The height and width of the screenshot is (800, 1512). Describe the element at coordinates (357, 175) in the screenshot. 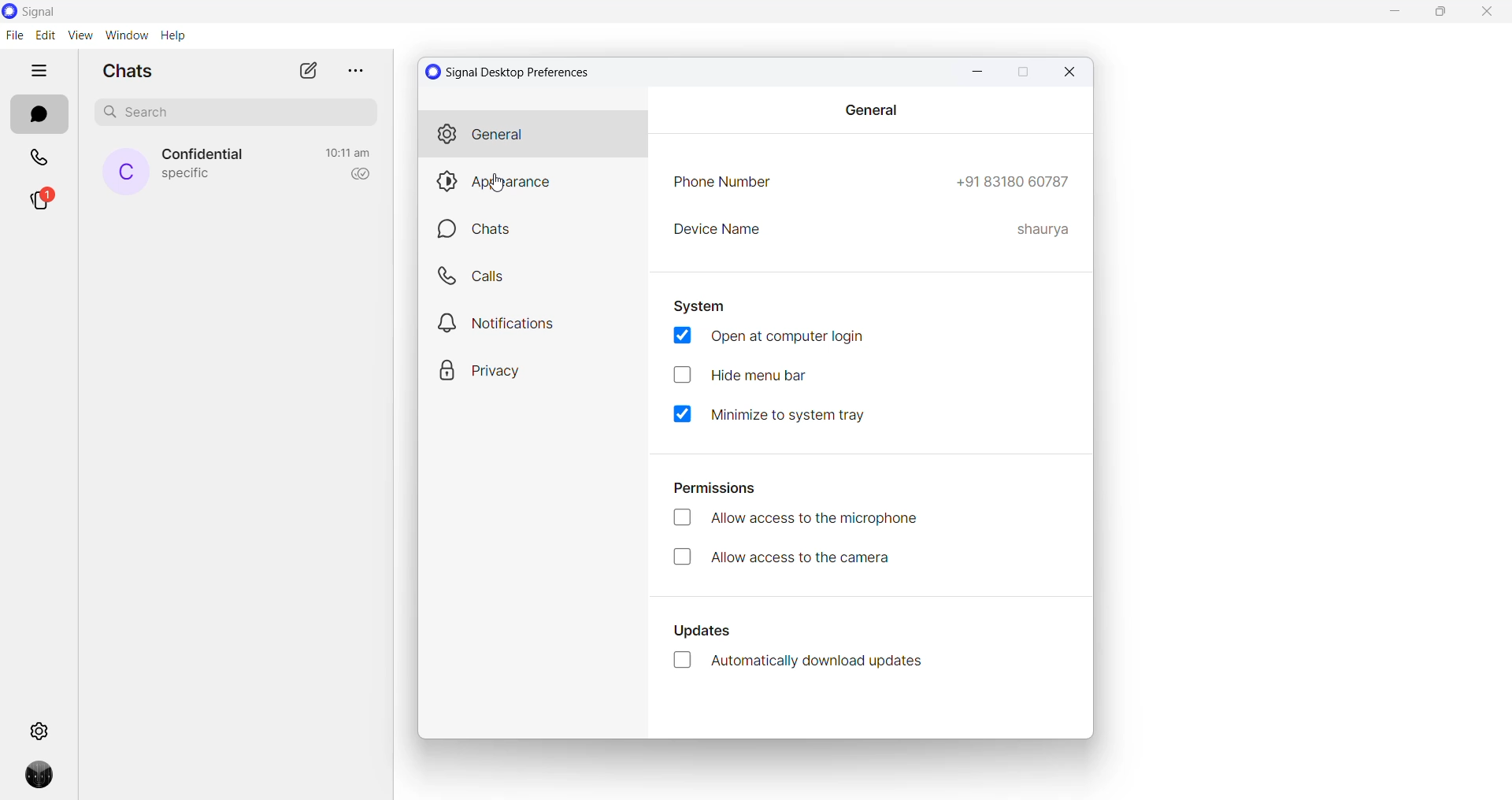

I see `read recipient` at that location.